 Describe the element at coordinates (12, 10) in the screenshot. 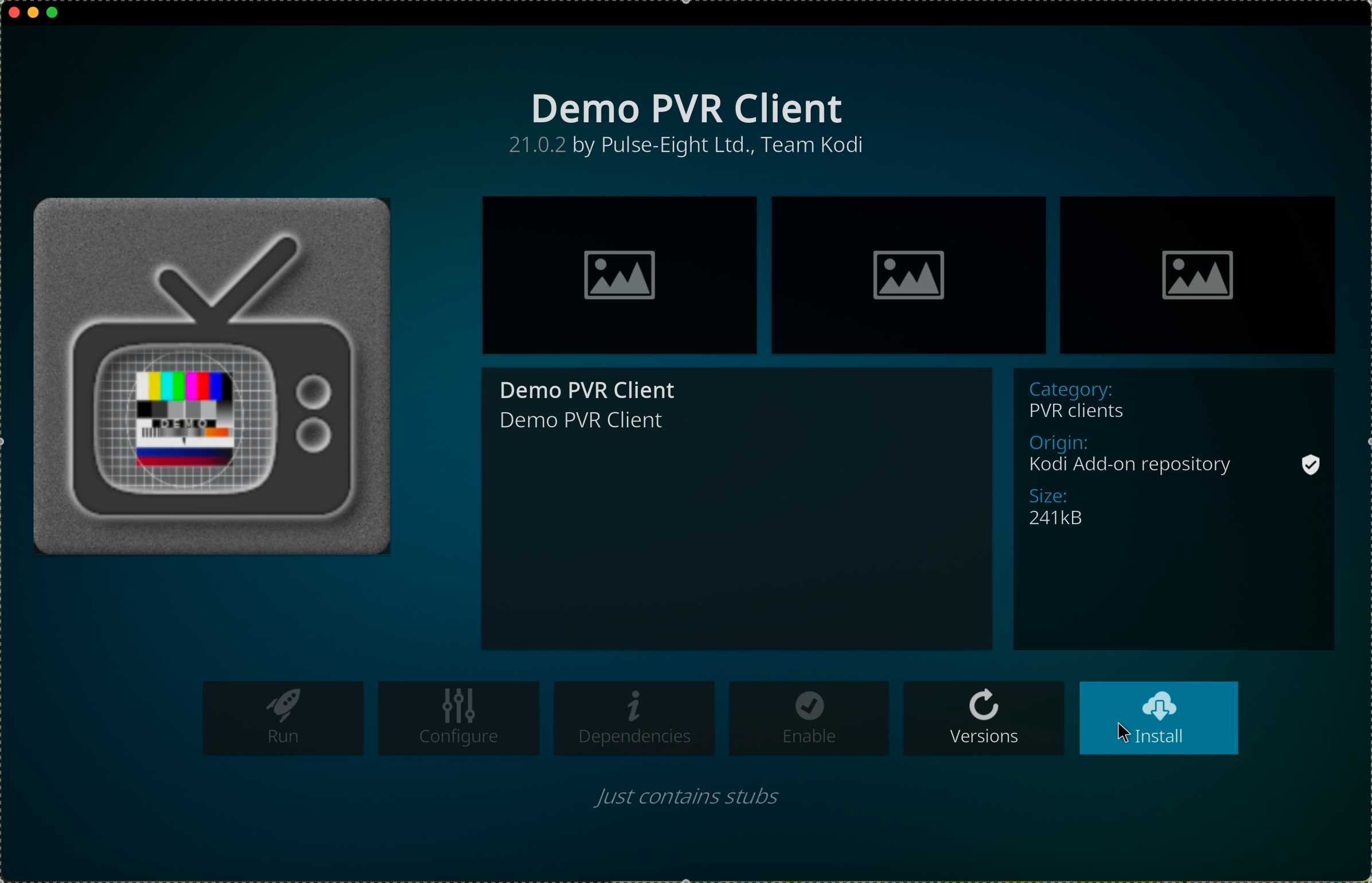

I see `close app` at that location.